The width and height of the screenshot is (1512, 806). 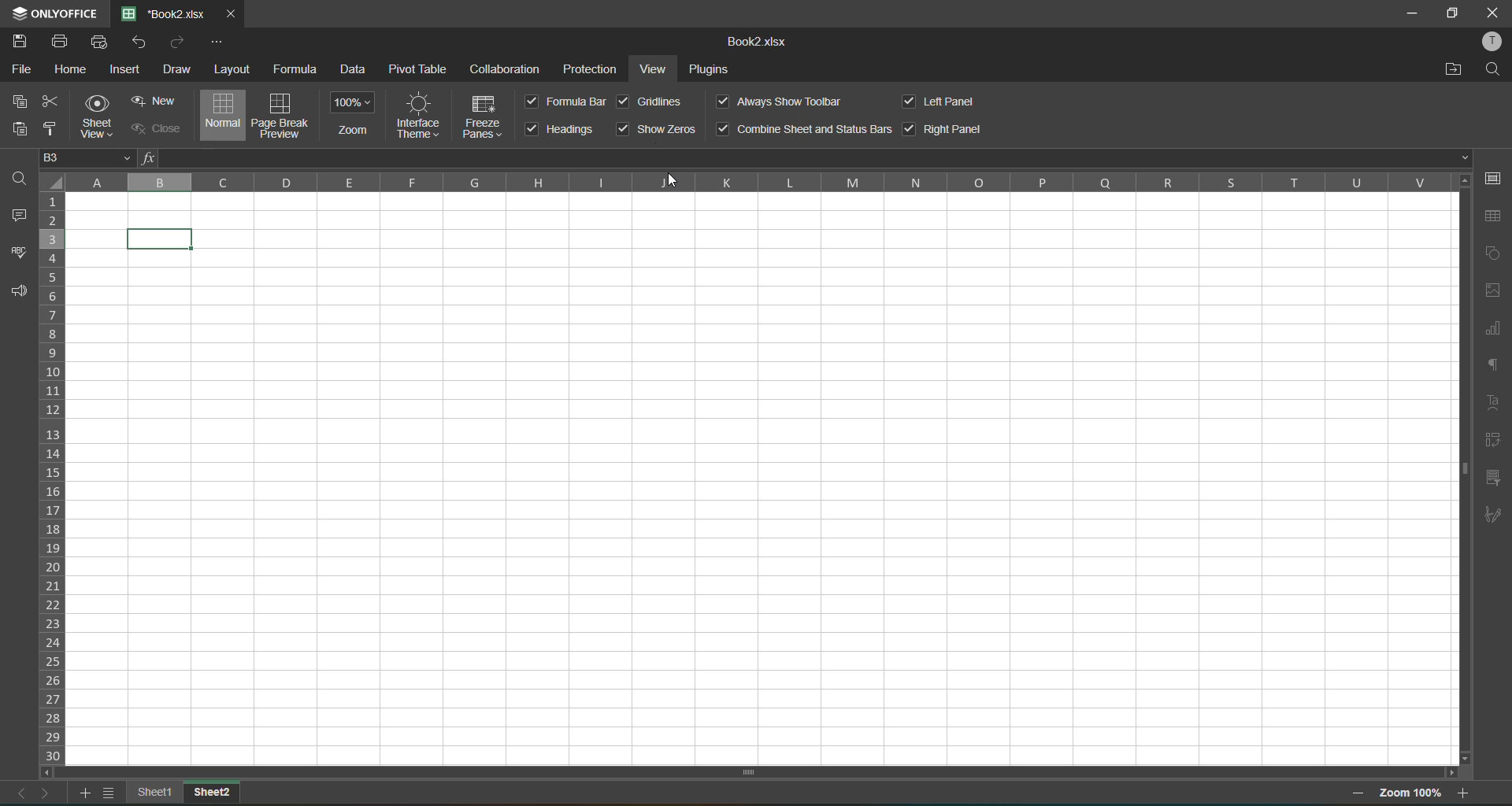 I want to click on formula, so click(x=298, y=70).